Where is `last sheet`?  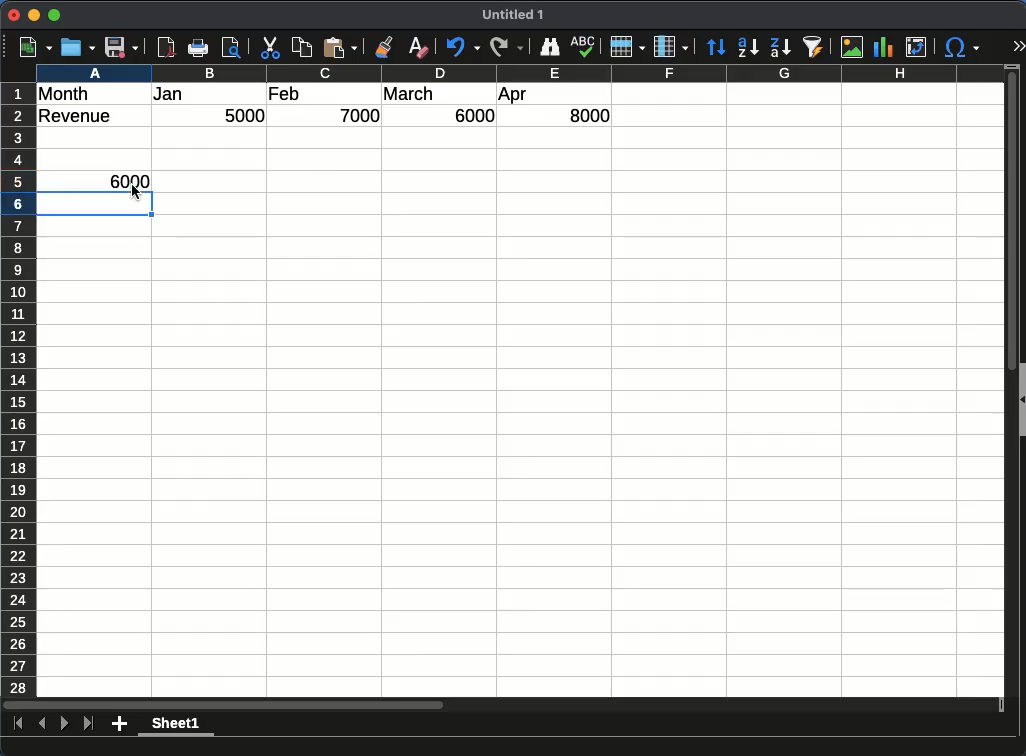
last sheet is located at coordinates (88, 723).